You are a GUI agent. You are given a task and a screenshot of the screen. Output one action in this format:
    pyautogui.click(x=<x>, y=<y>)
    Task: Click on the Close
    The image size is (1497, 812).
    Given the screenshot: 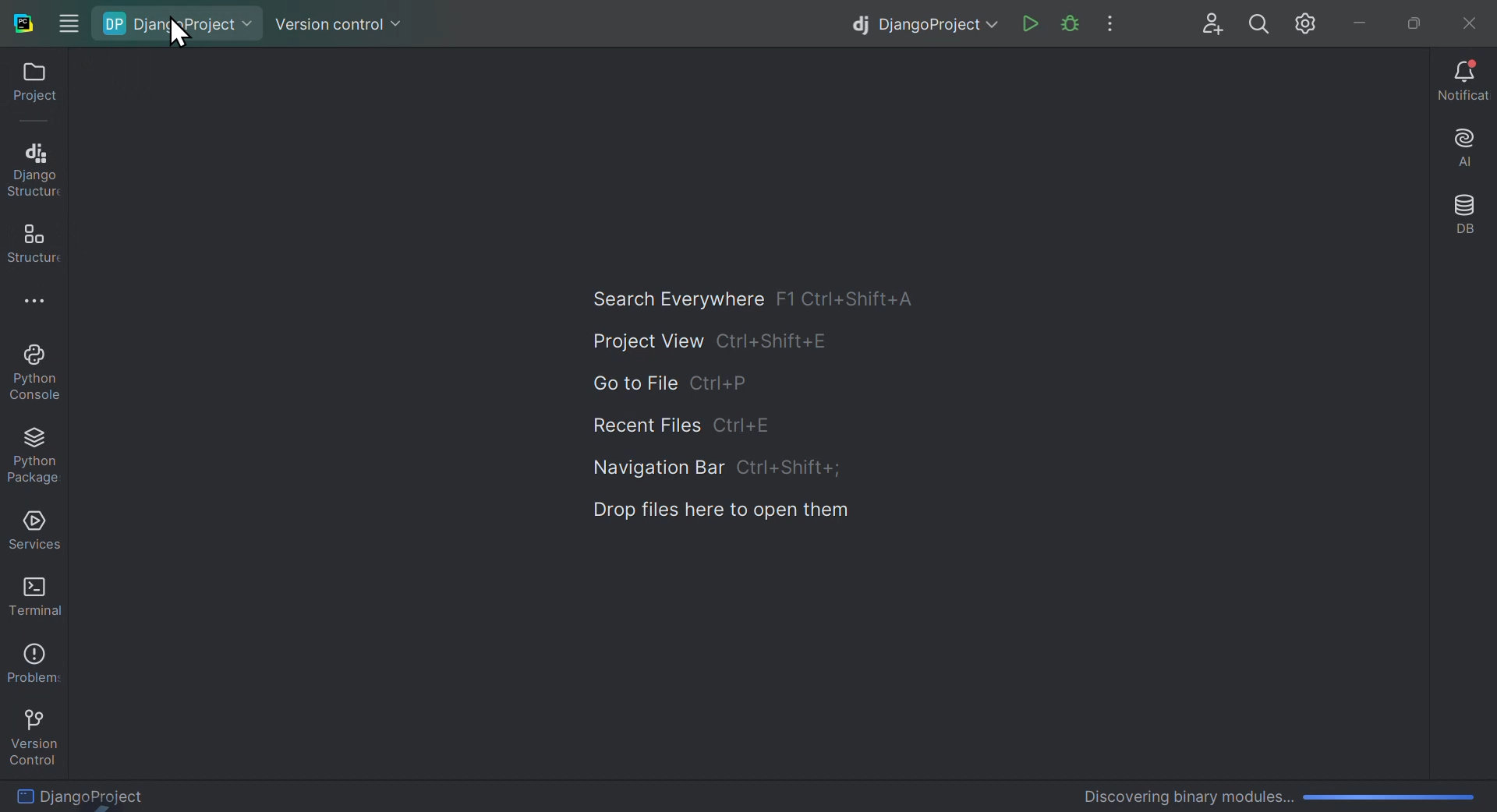 What is the action you would take?
    pyautogui.click(x=1466, y=20)
    